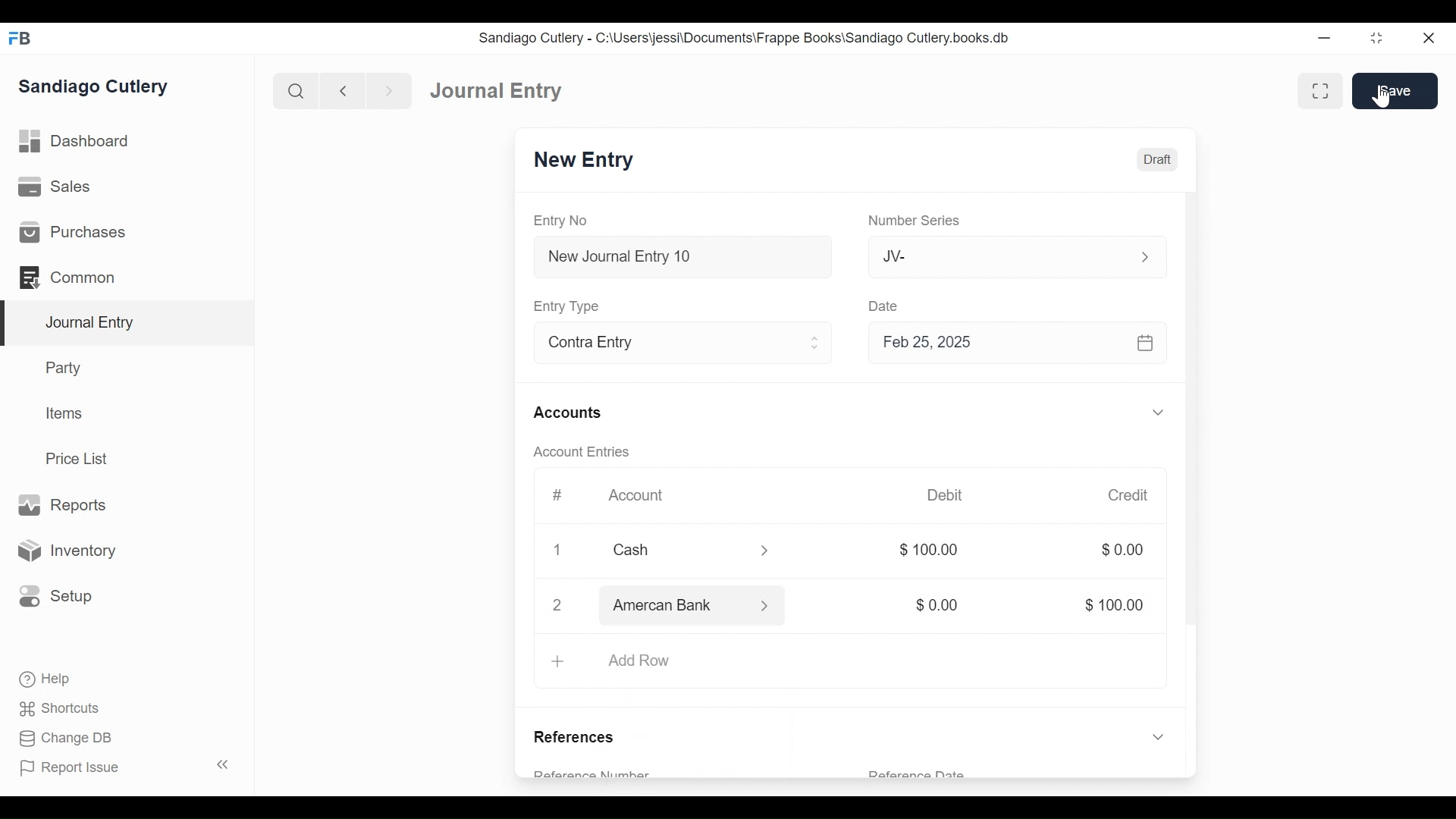 The width and height of the screenshot is (1456, 819). What do you see at coordinates (682, 256) in the screenshot?
I see `New Journal Entry 10` at bounding box center [682, 256].